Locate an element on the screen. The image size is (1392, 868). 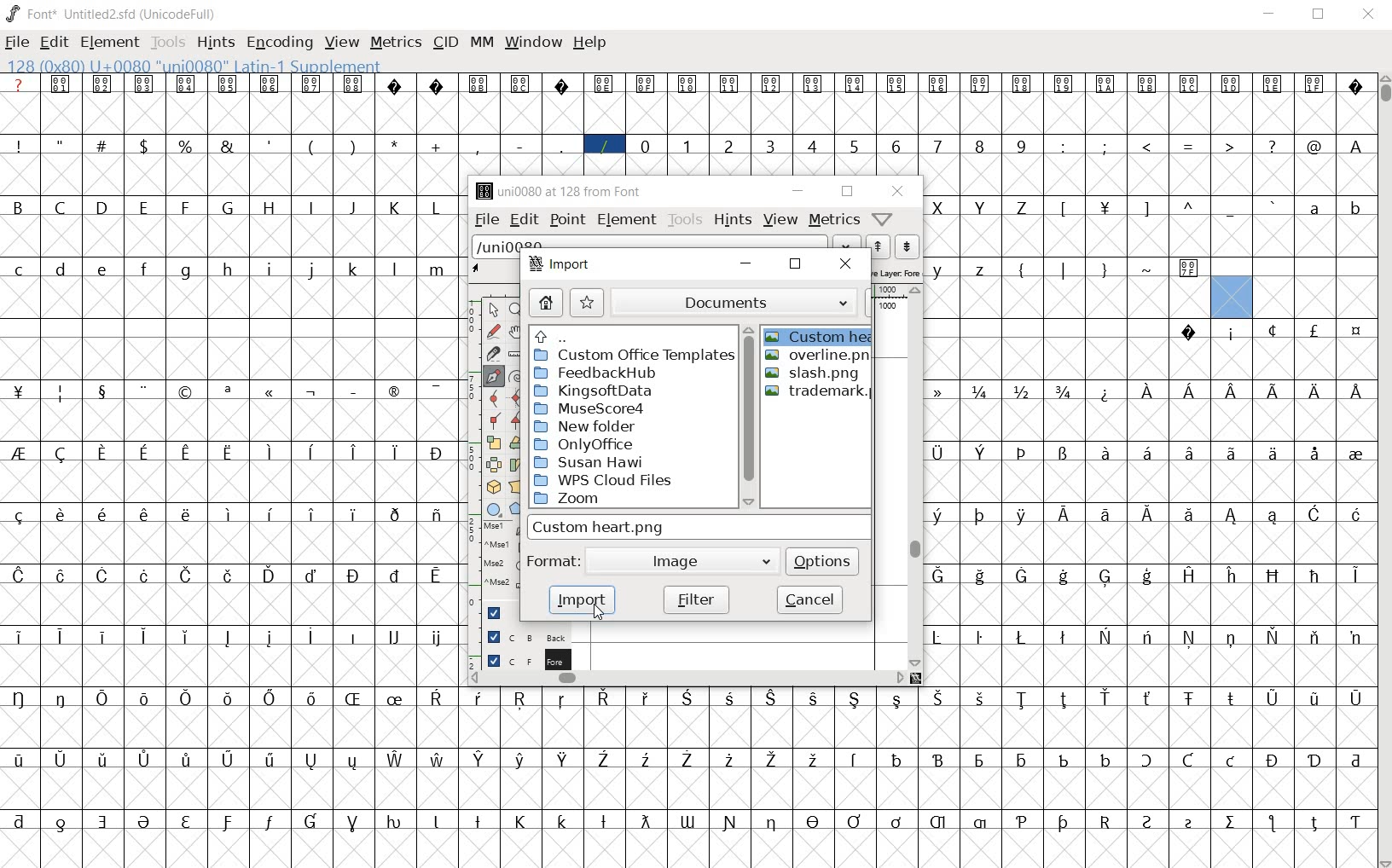
glyph is located at coordinates (562, 821).